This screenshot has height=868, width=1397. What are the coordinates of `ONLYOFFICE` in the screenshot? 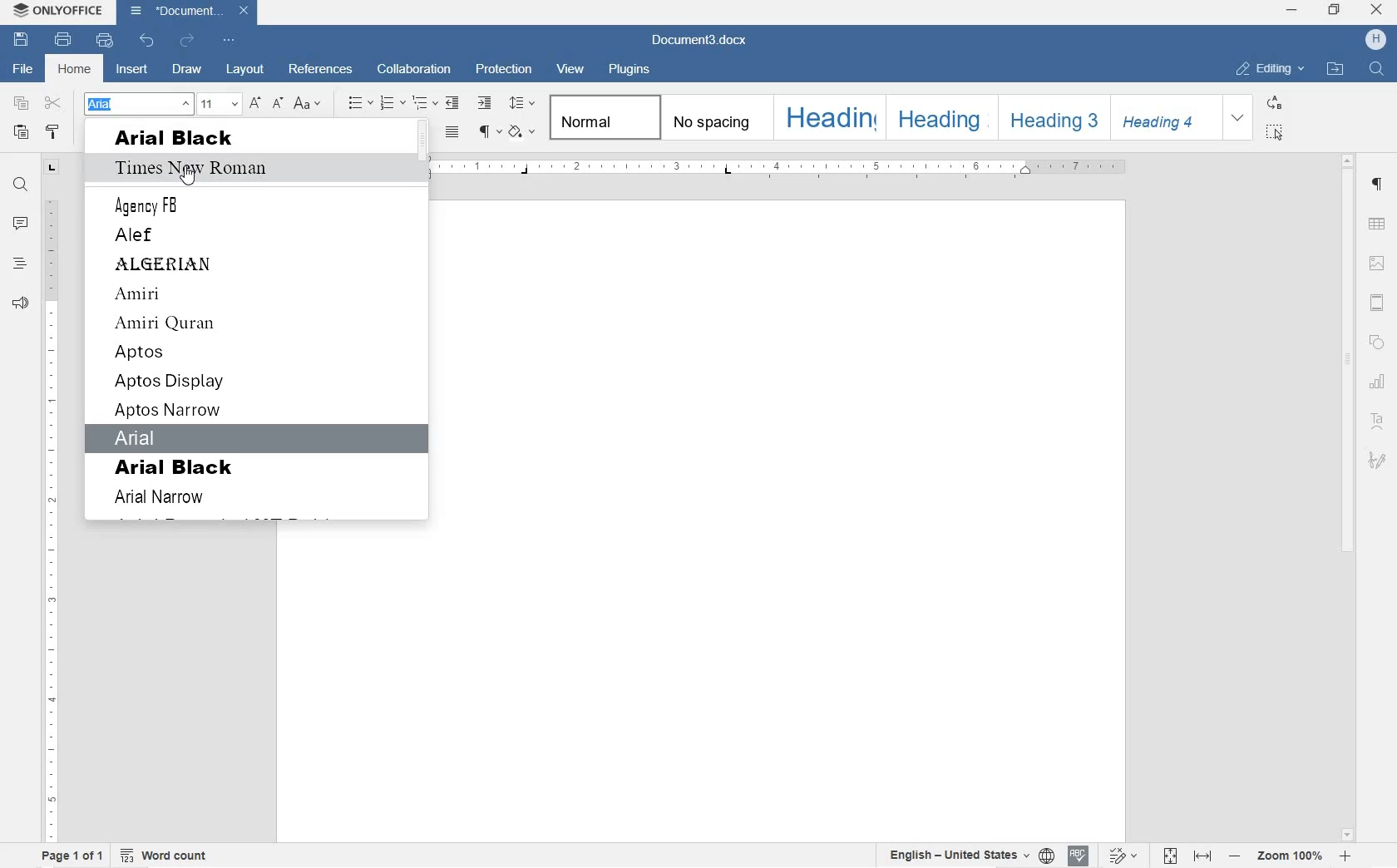 It's located at (60, 11).